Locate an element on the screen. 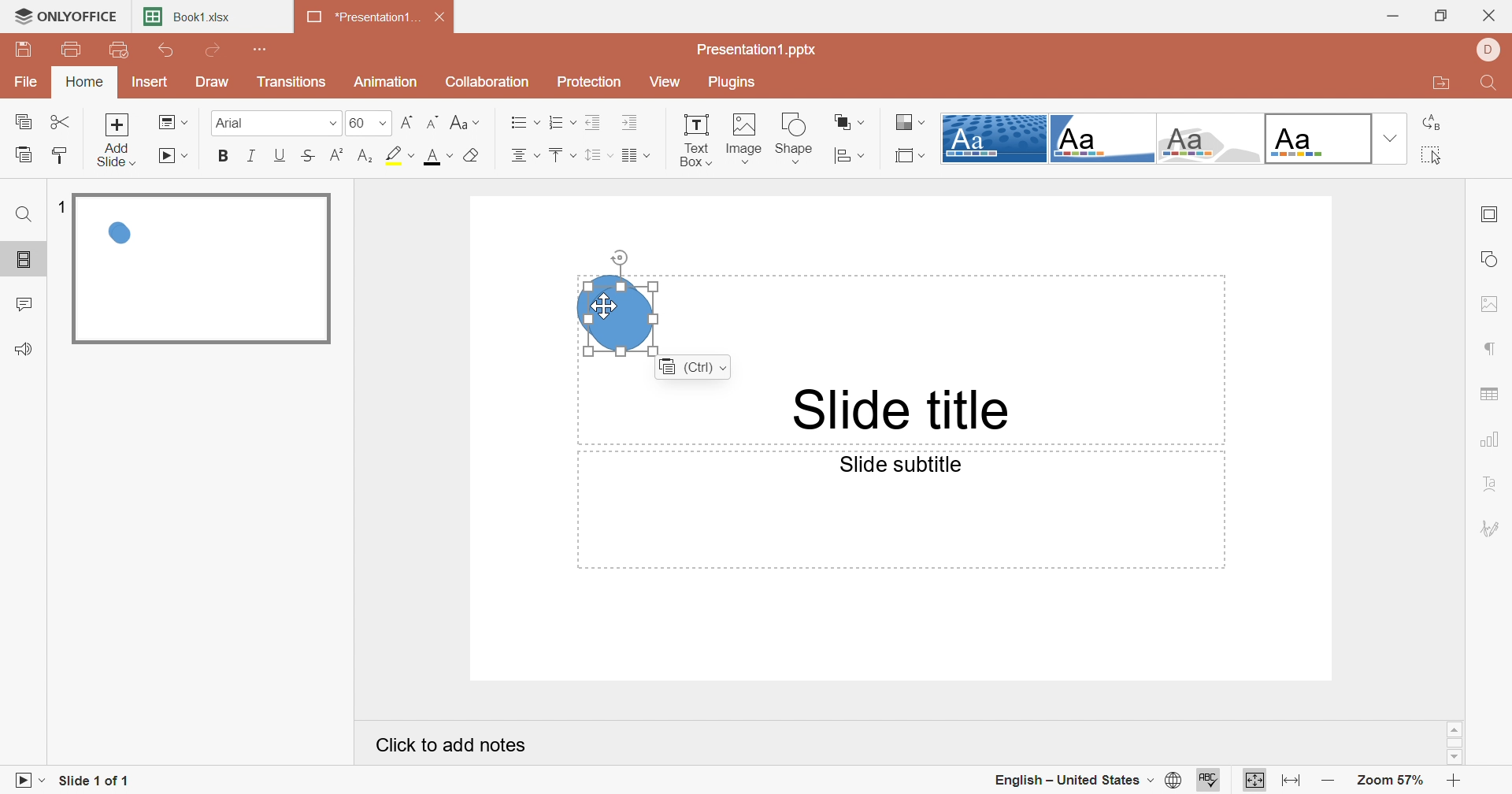 This screenshot has width=1512, height=794. Superscript is located at coordinates (340, 155).